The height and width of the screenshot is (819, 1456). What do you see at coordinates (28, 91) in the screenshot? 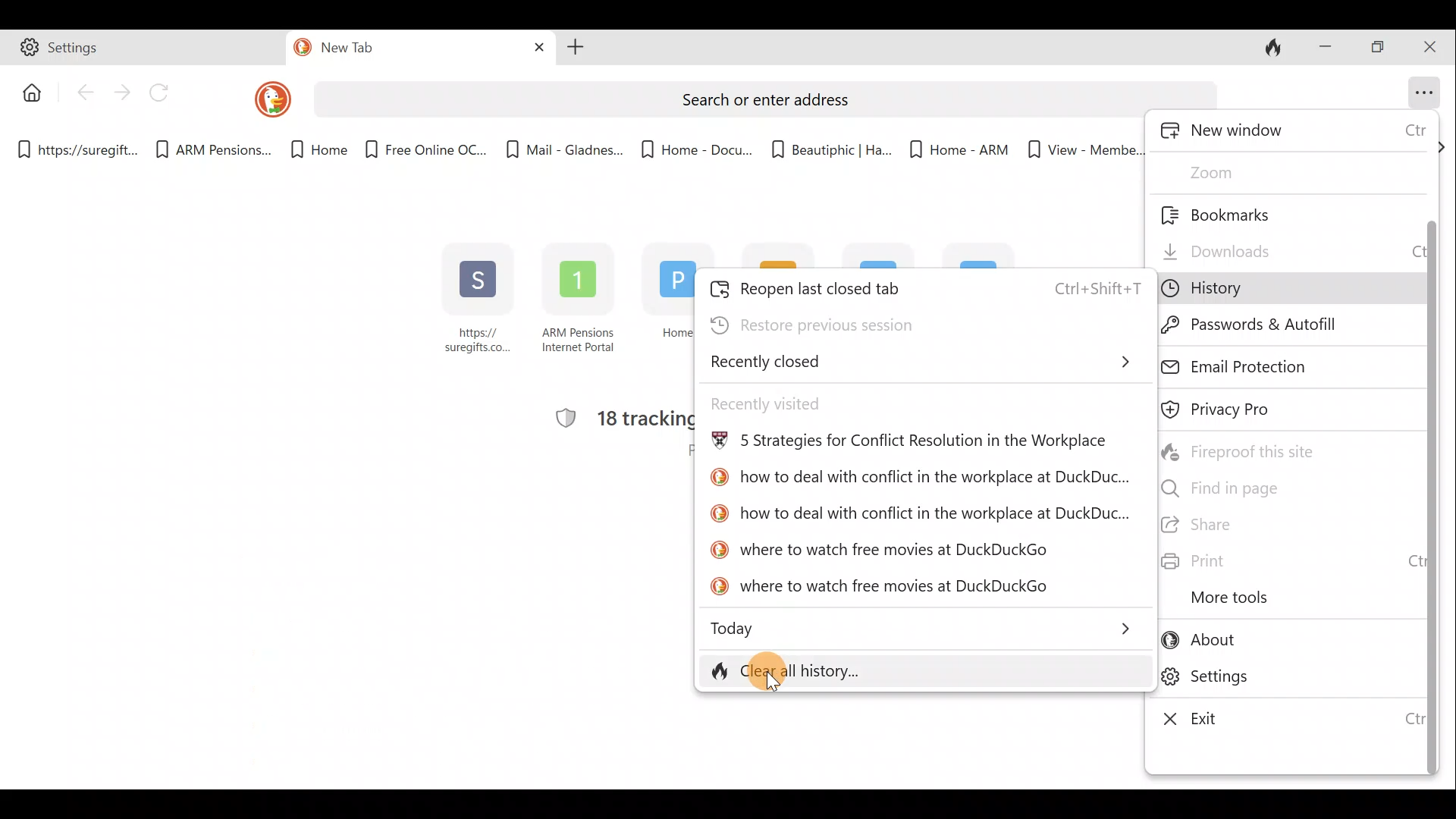
I see `Home` at bounding box center [28, 91].